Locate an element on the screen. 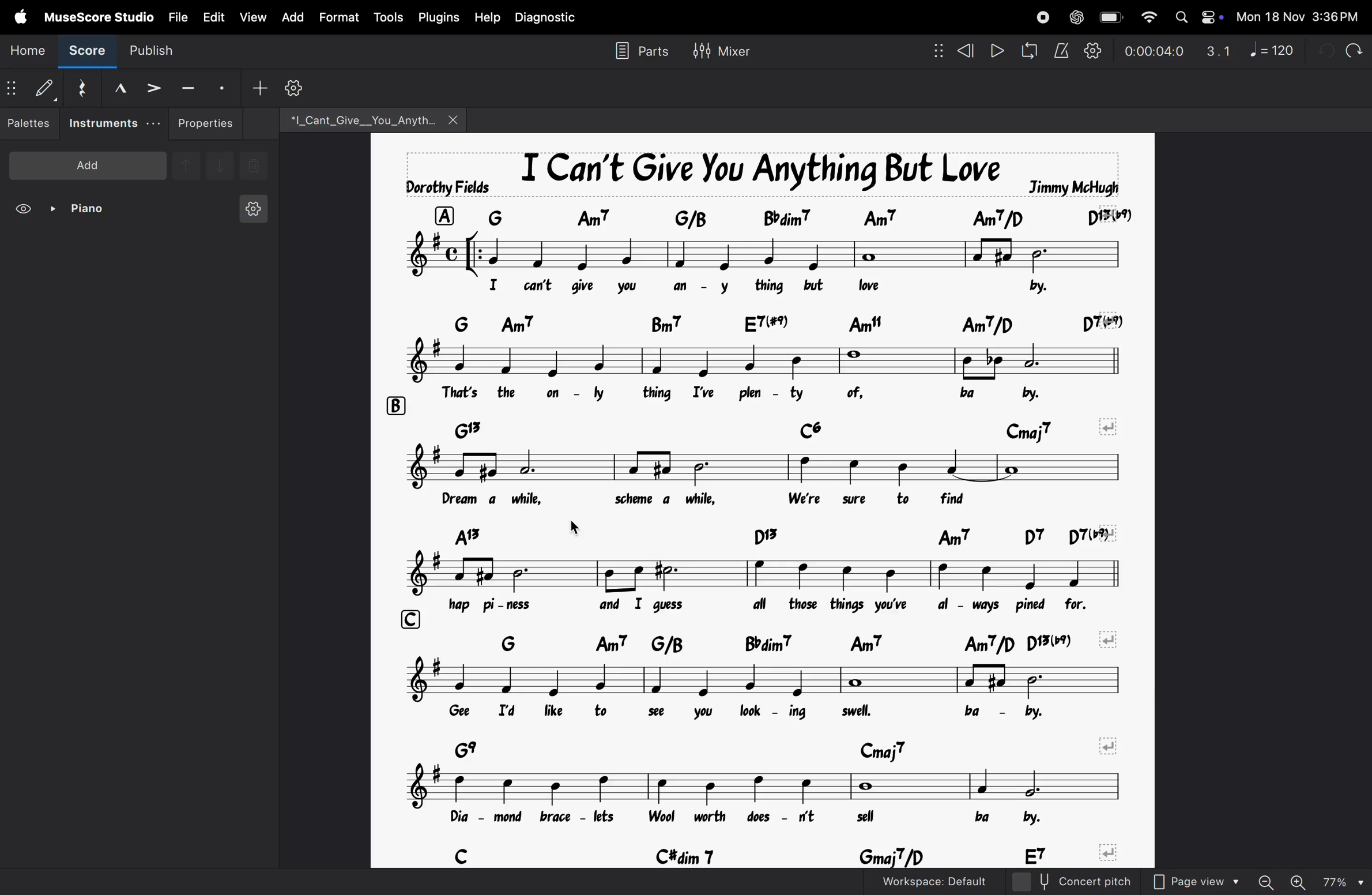  wifi is located at coordinates (1146, 18).